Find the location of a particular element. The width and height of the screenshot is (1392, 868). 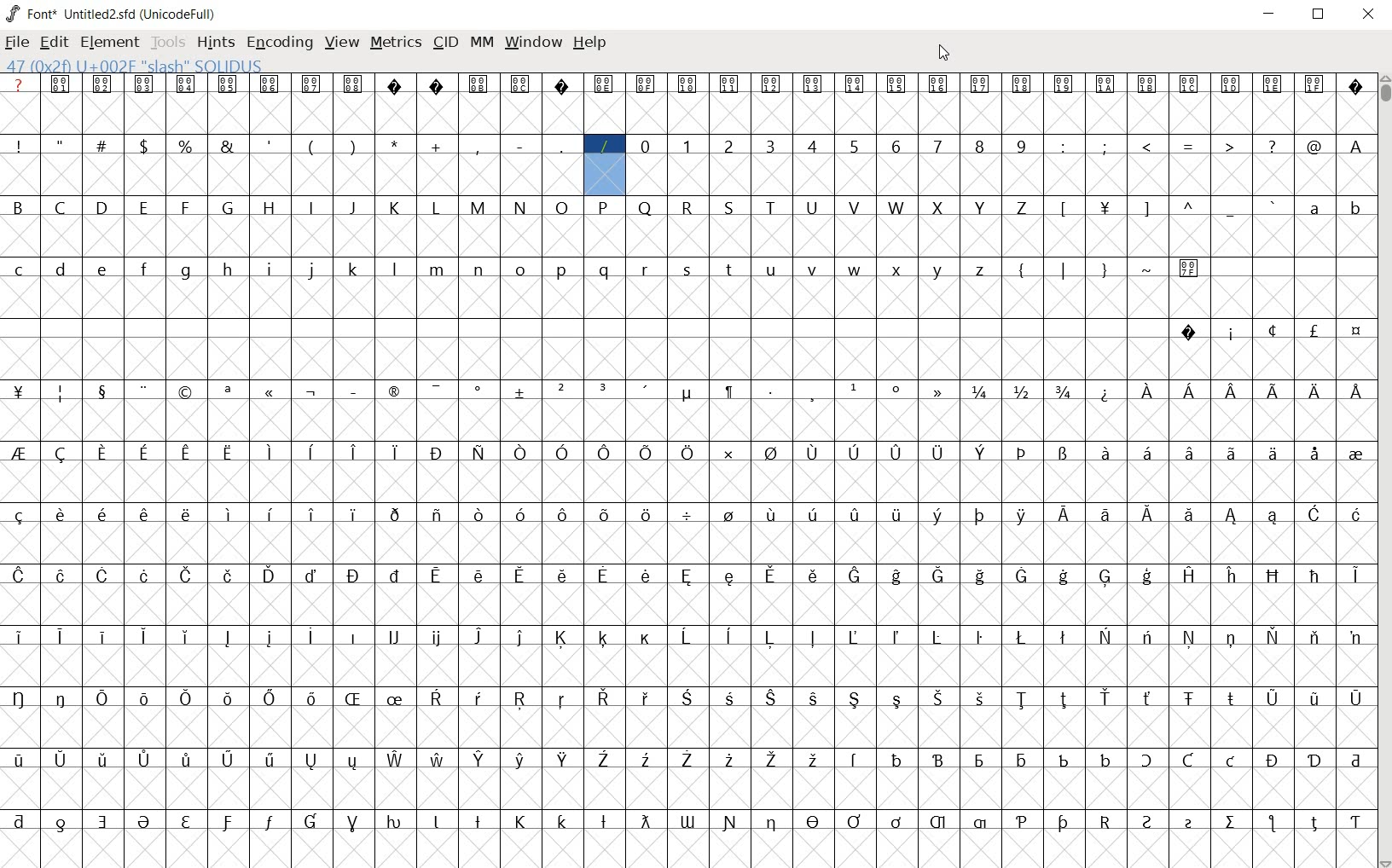

glyph is located at coordinates (1231, 761).